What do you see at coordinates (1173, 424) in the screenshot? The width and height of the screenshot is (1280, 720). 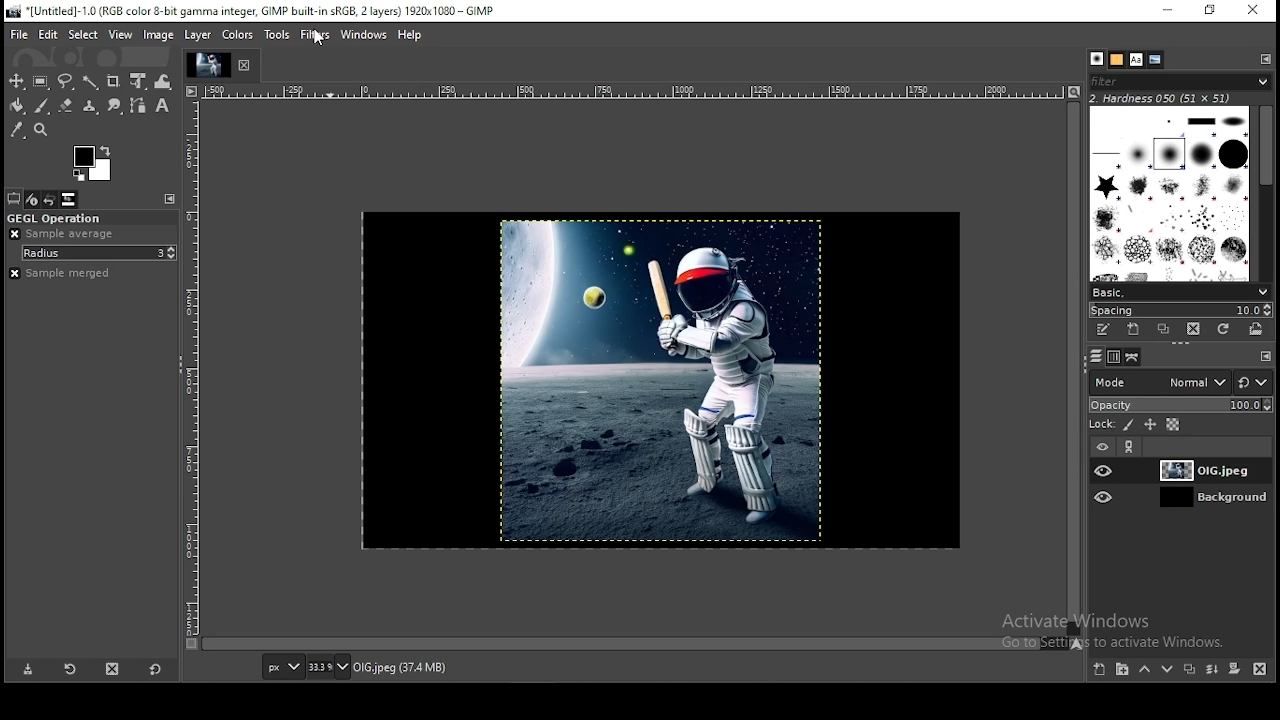 I see `lock alpha channel` at bounding box center [1173, 424].